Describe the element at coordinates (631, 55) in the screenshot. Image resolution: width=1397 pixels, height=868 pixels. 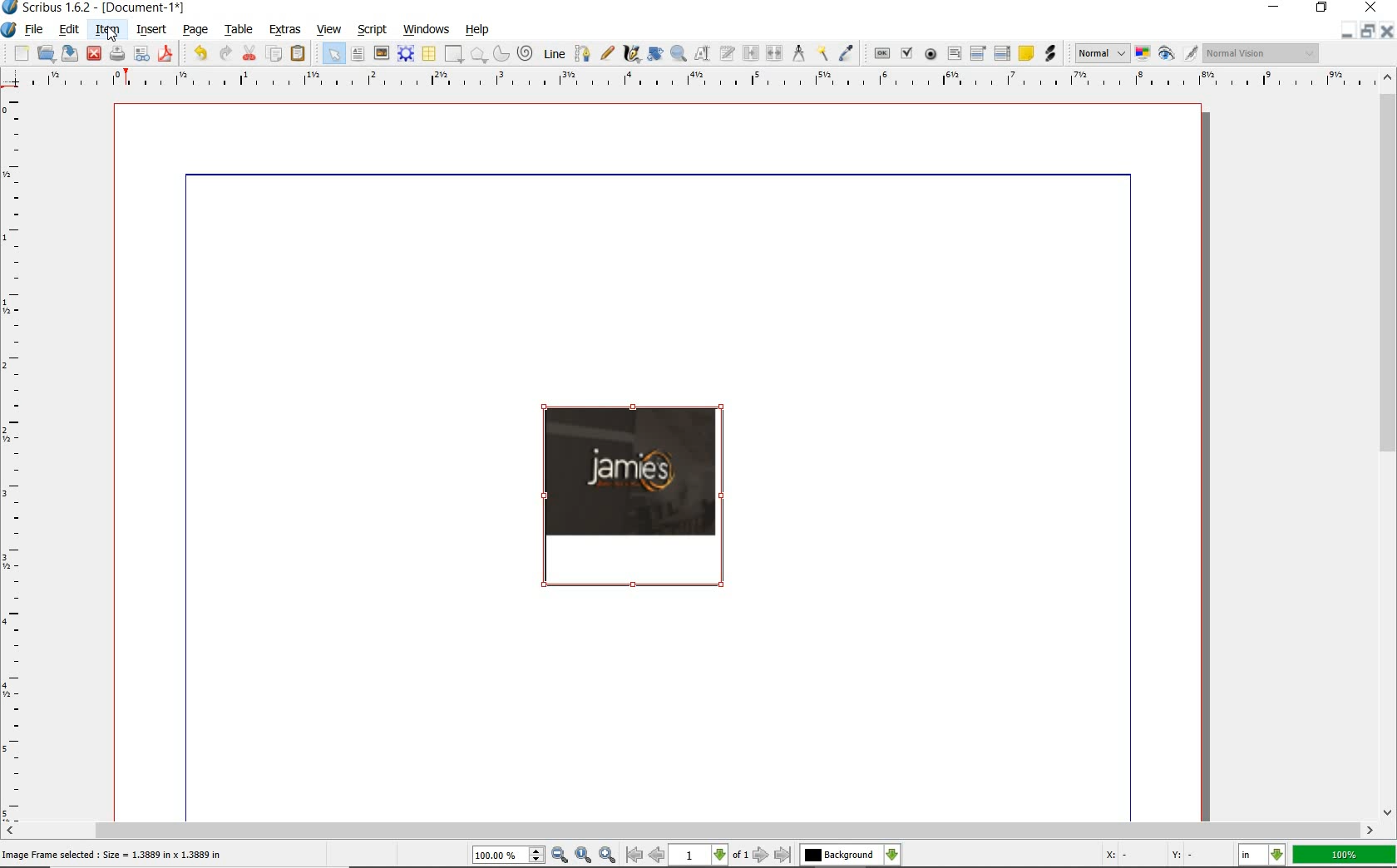
I see `calligraphic line` at that location.